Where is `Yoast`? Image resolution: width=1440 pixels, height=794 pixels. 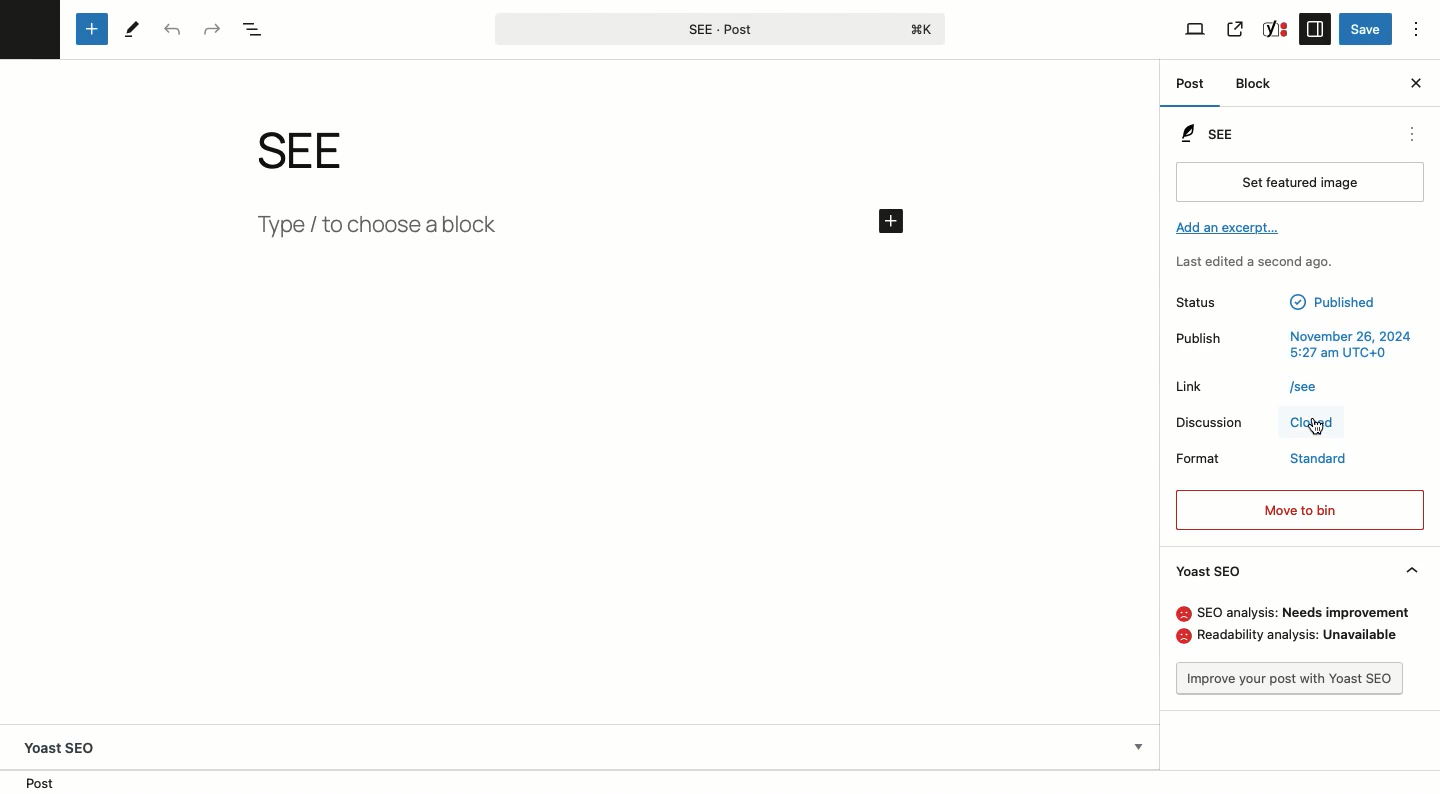 Yoast is located at coordinates (1276, 30).